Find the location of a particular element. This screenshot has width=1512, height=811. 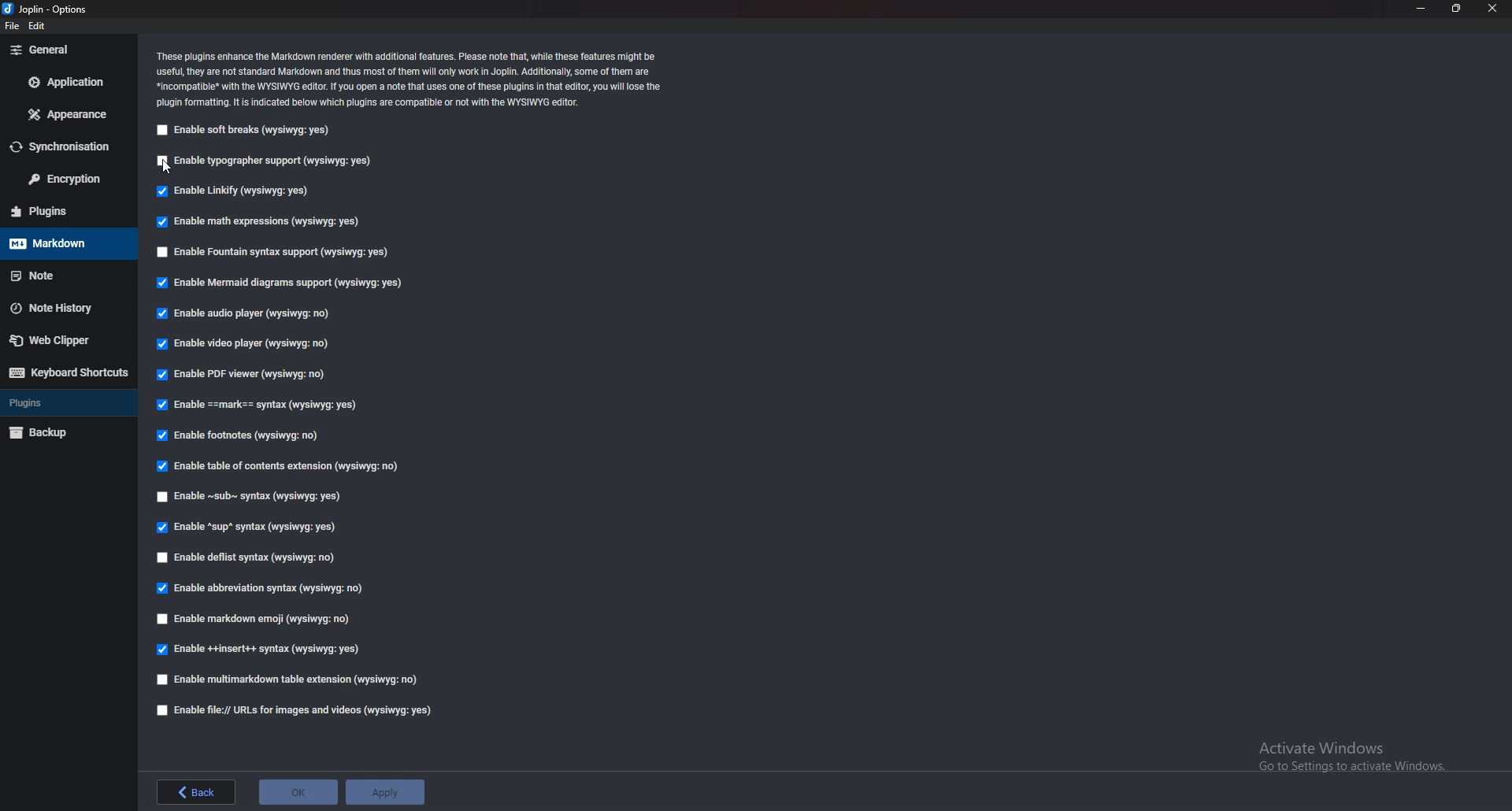

resize is located at coordinates (1455, 8).